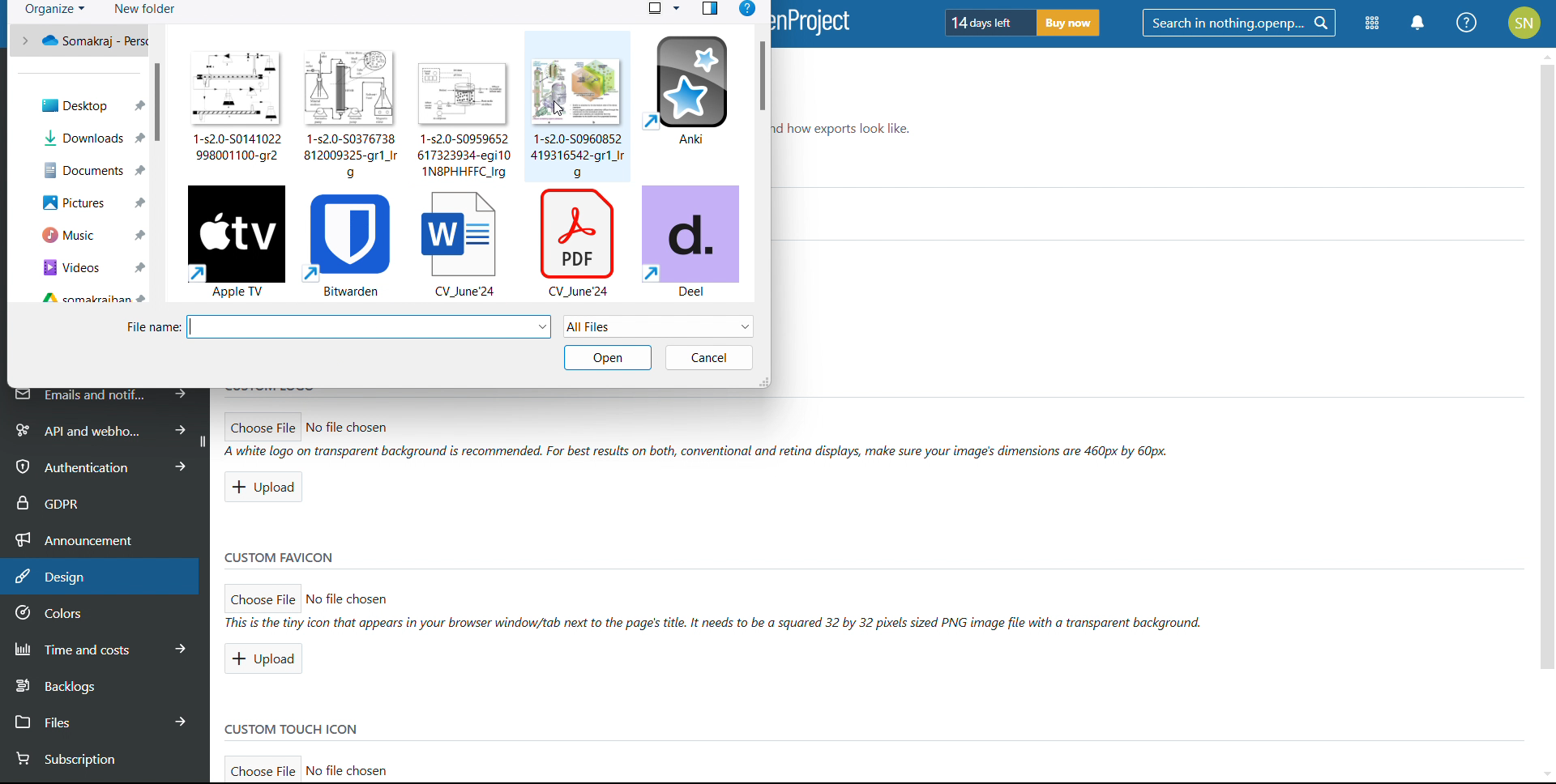  I want to click on select view, so click(663, 10).